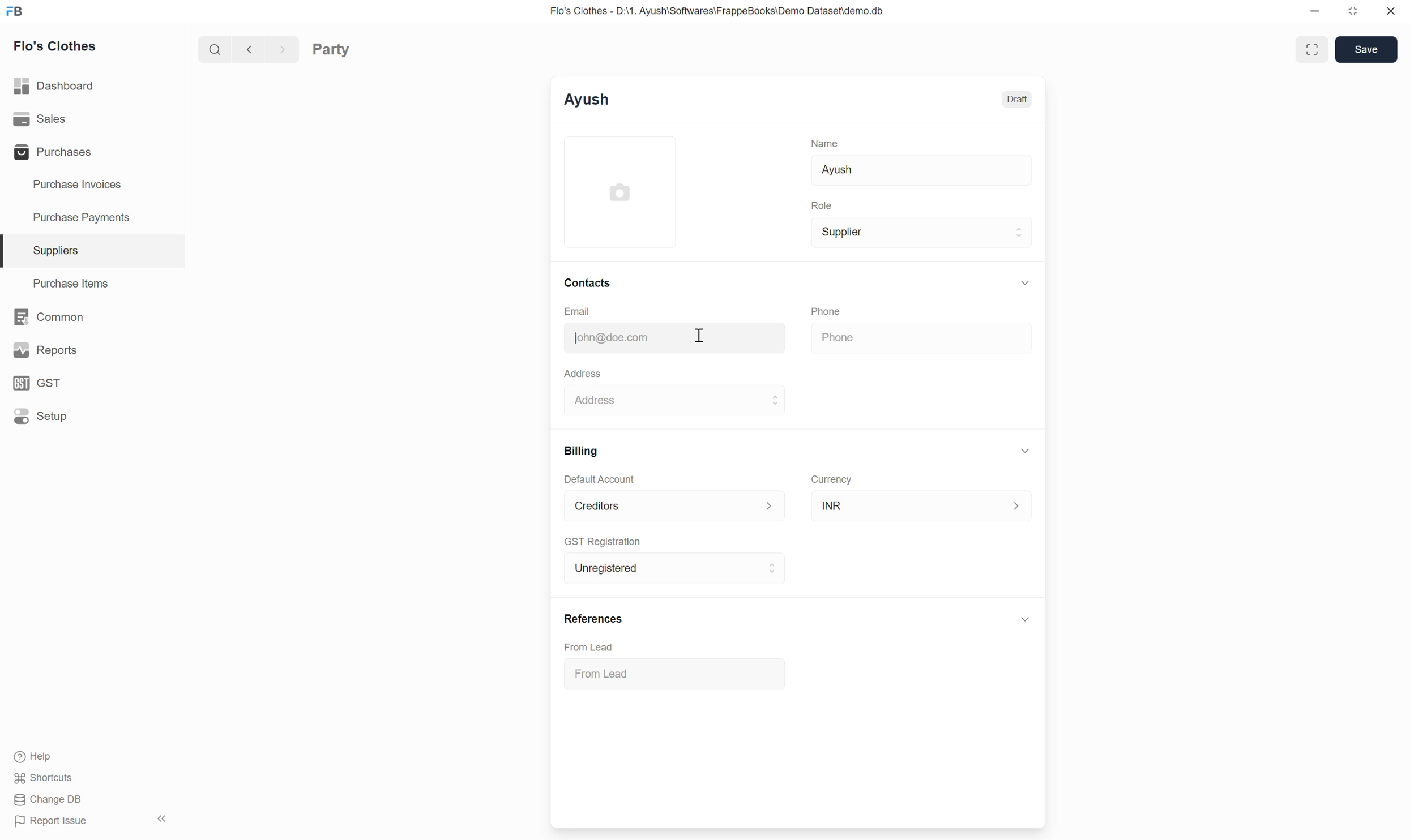 Image resolution: width=1410 pixels, height=840 pixels. Describe the element at coordinates (1311, 49) in the screenshot. I see `Toggle between form and full width` at that location.